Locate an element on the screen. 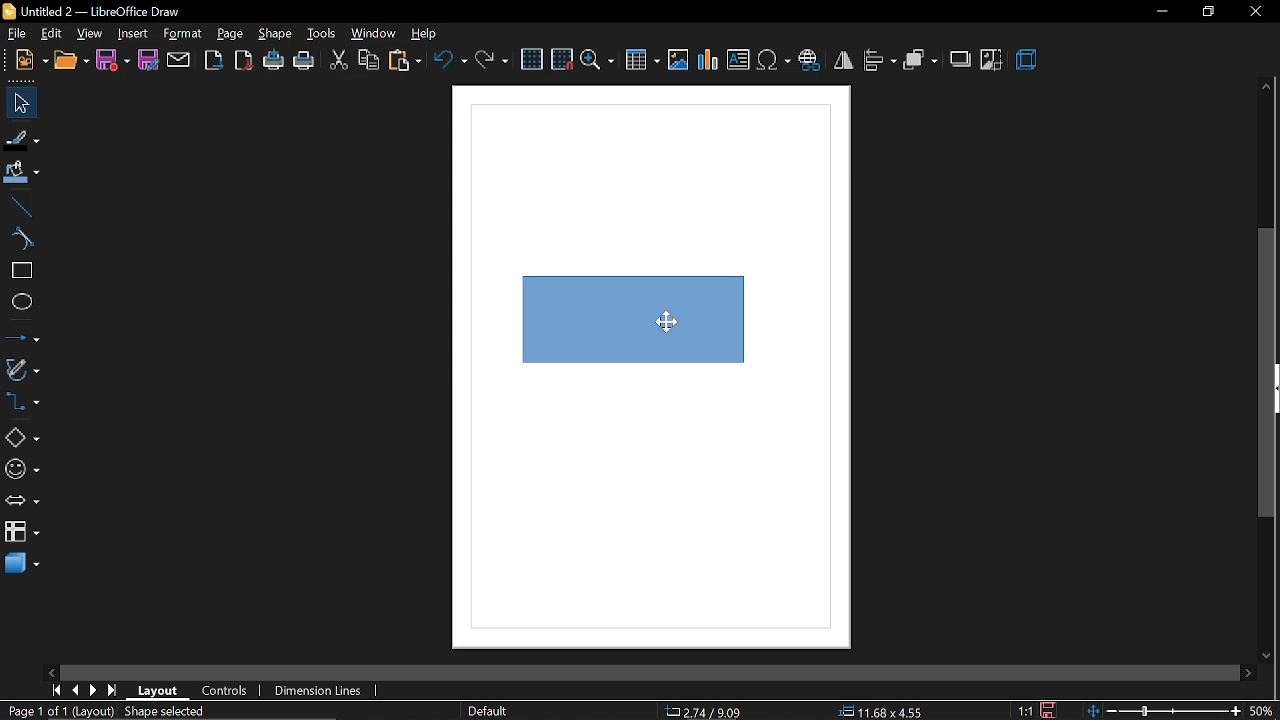 The height and width of the screenshot is (720, 1280). flip is located at coordinates (843, 61).